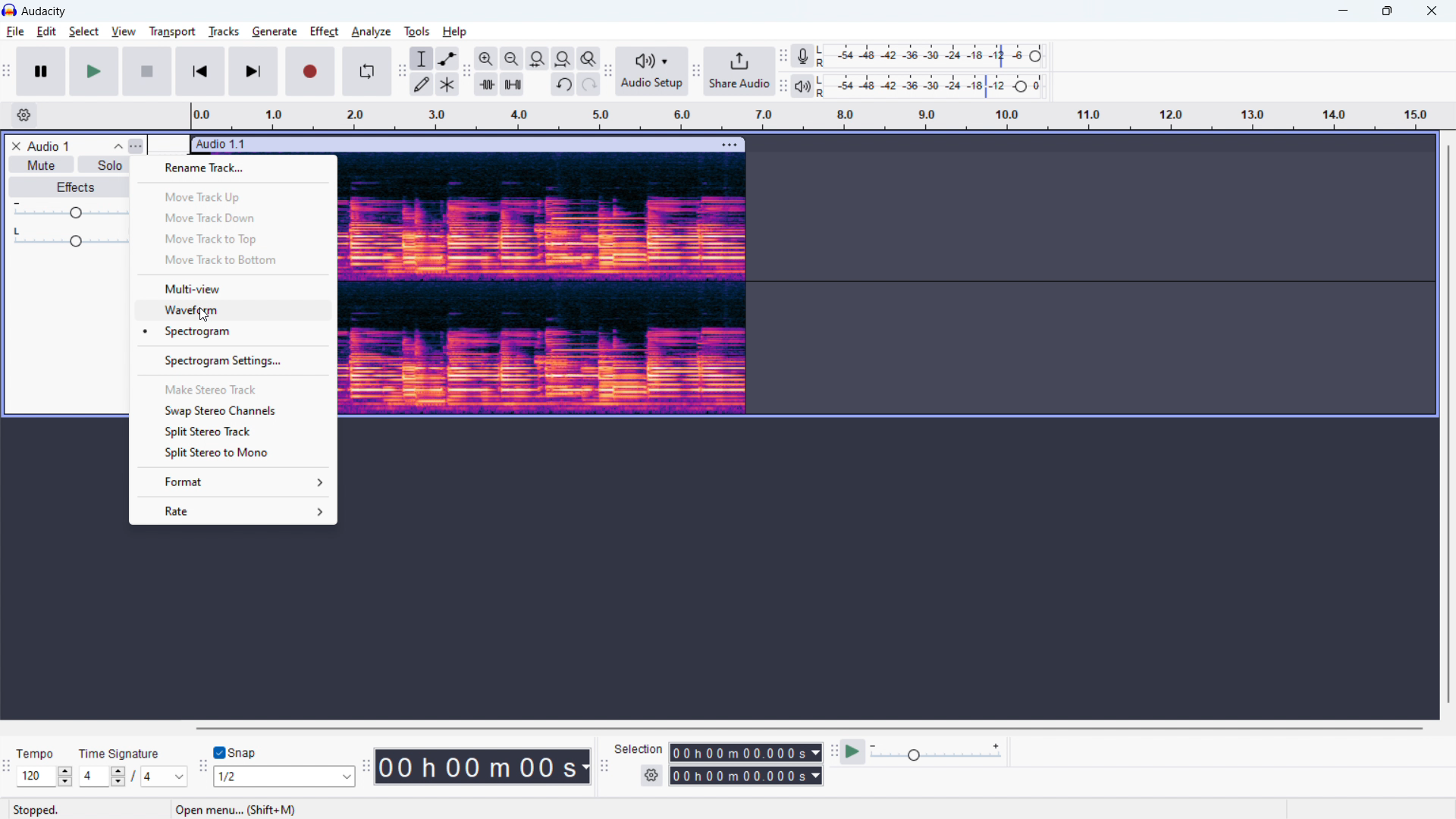 The height and width of the screenshot is (819, 1456). I want to click on selection, so click(640, 748).